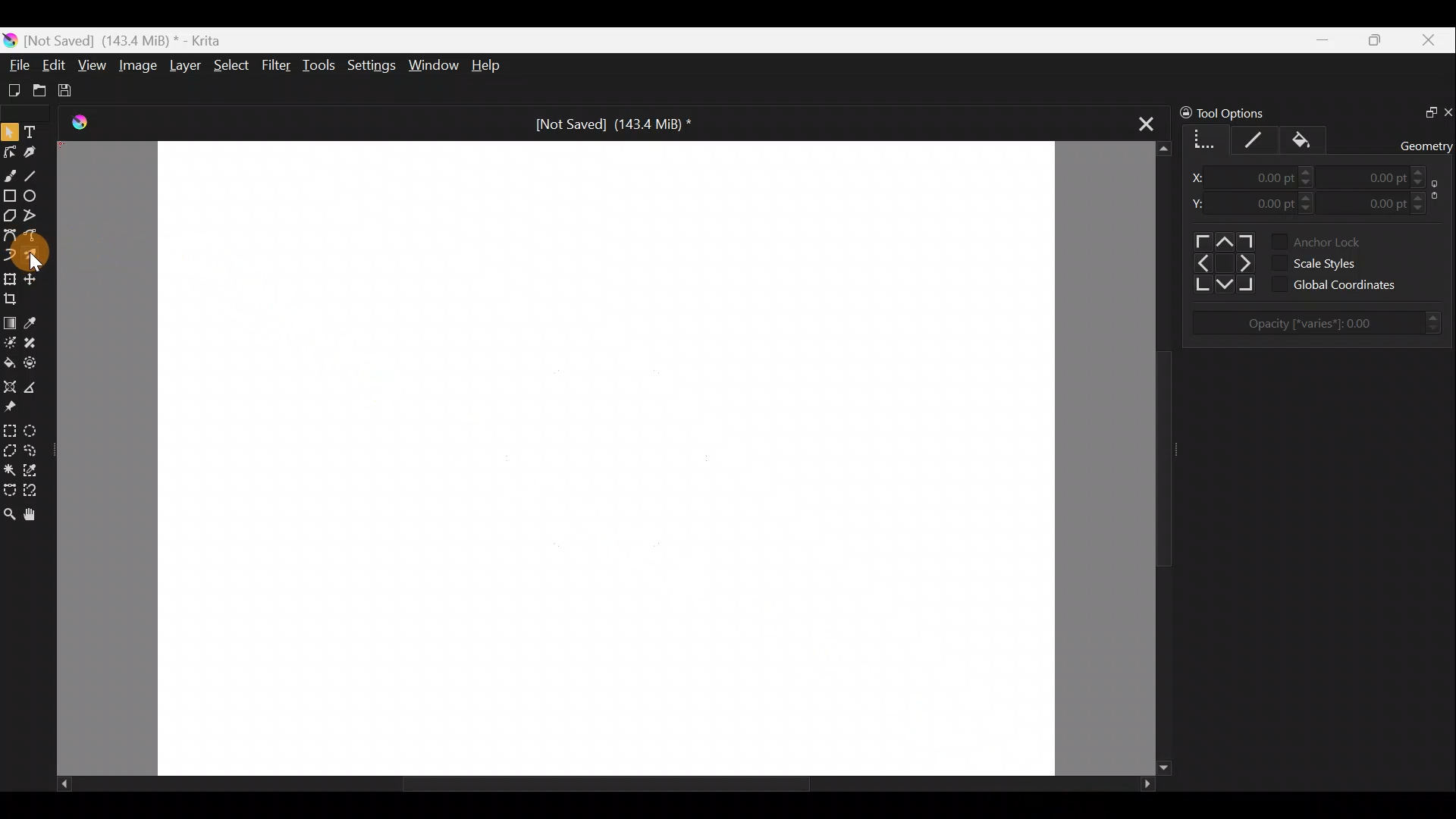  What do you see at coordinates (32, 259) in the screenshot?
I see `Multibrush tool` at bounding box center [32, 259].